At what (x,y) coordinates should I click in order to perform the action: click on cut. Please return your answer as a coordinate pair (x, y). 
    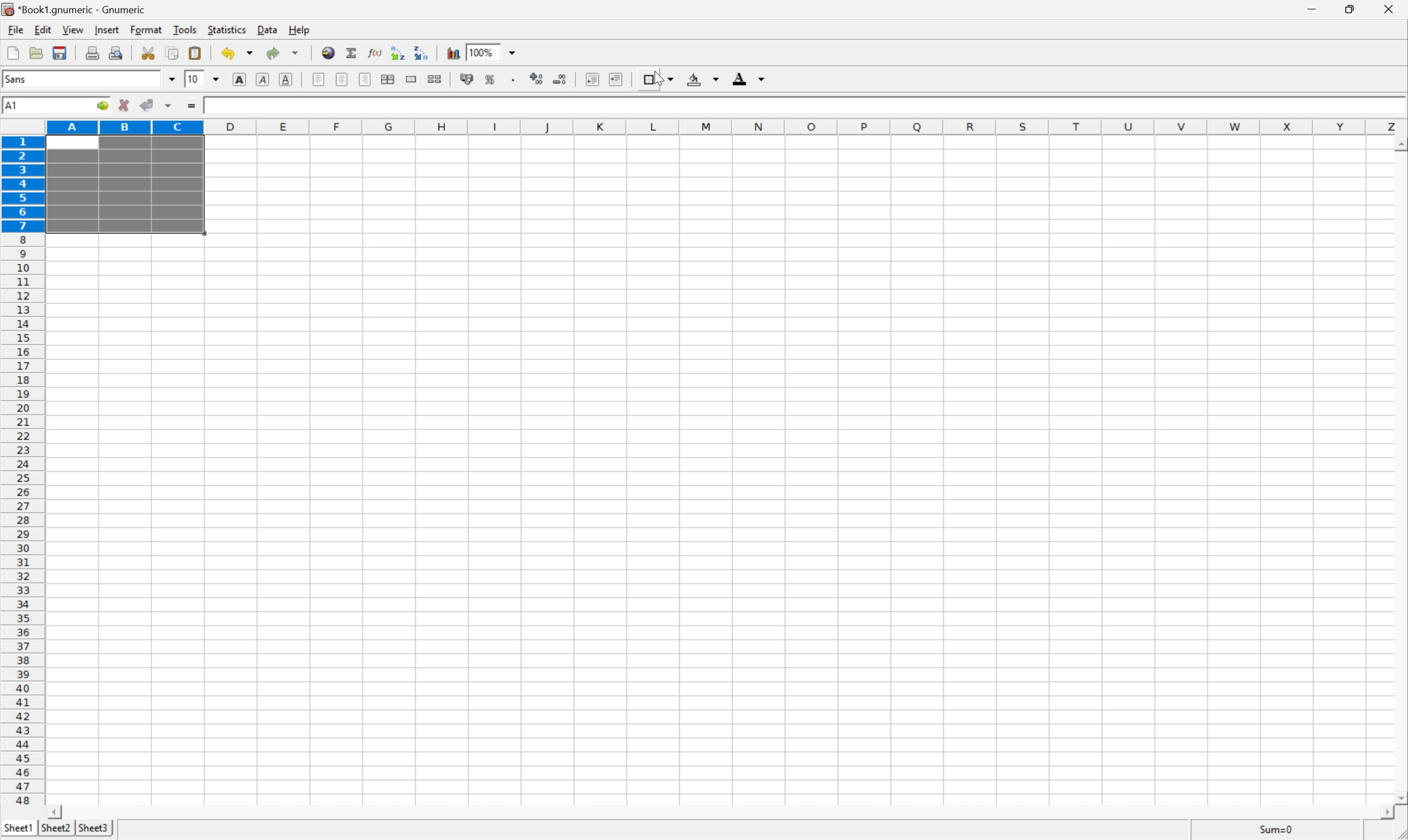
    Looking at the image, I should click on (149, 53).